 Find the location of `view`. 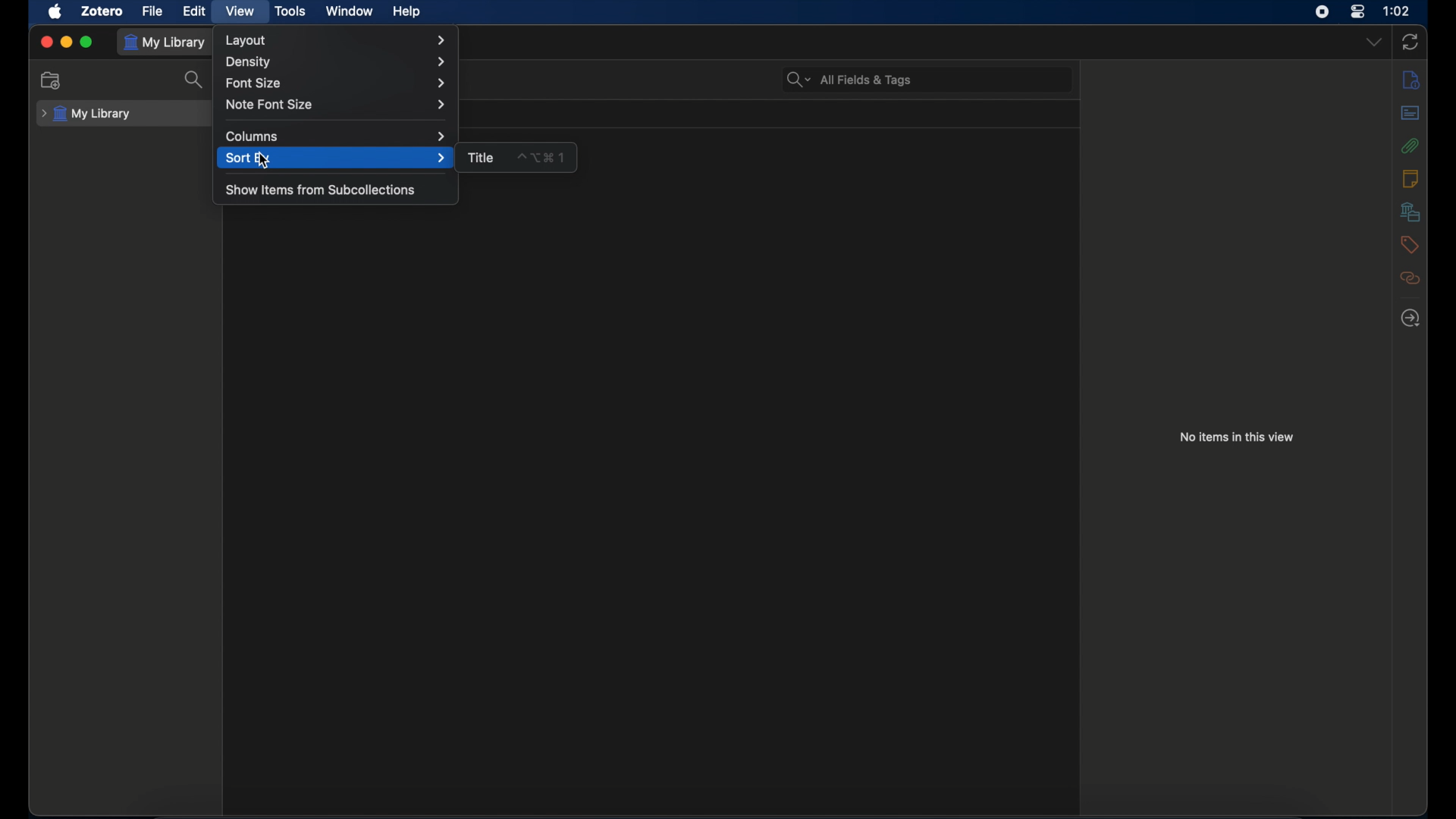

view is located at coordinates (238, 11).